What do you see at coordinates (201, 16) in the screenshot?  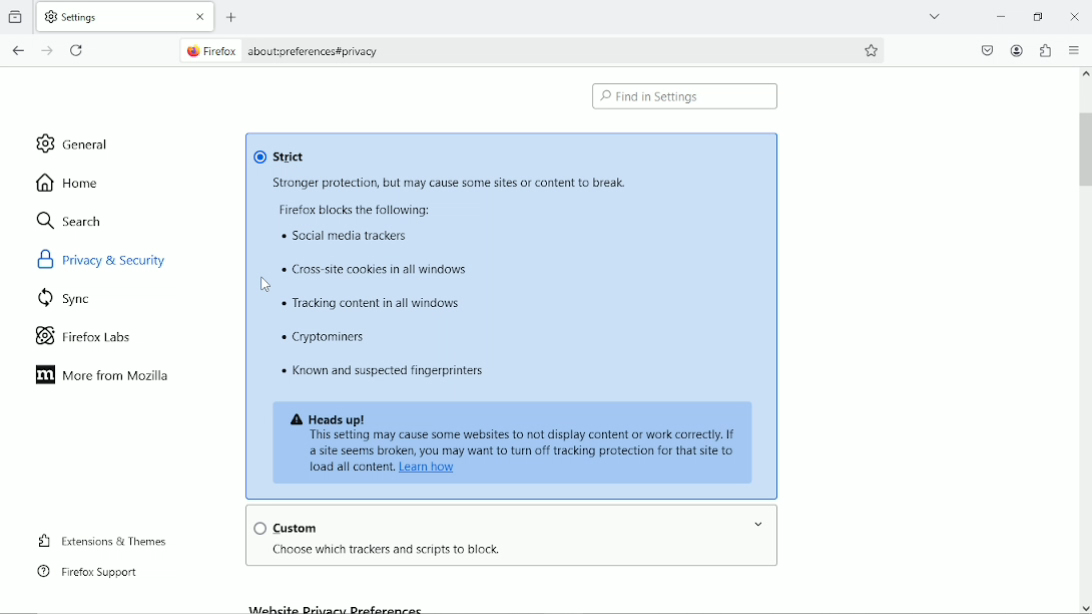 I see `close` at bounding box center [201, 16].